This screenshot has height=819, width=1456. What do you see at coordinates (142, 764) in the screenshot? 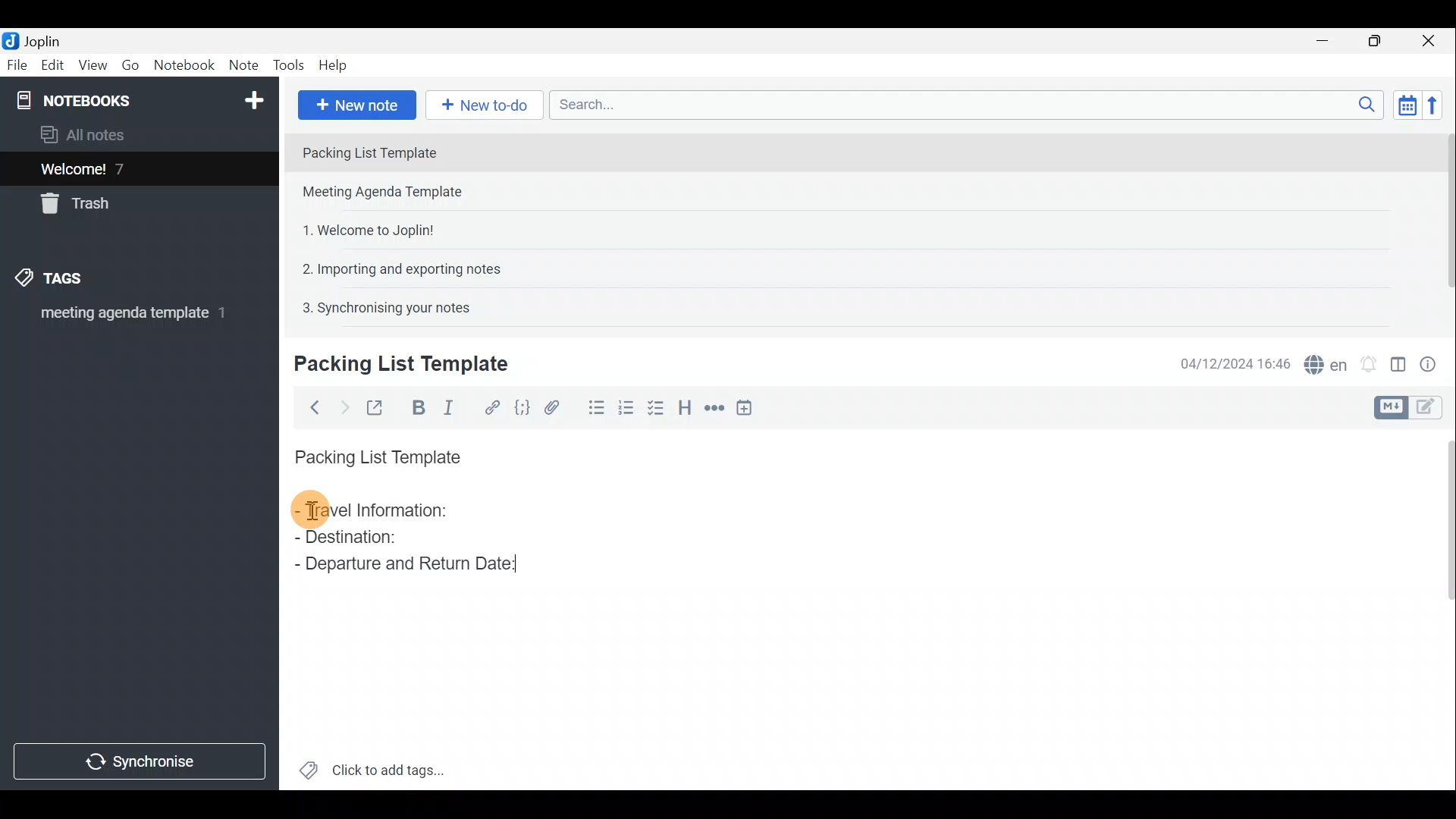
I see `Synchronise` at bounding box center [142, 764].